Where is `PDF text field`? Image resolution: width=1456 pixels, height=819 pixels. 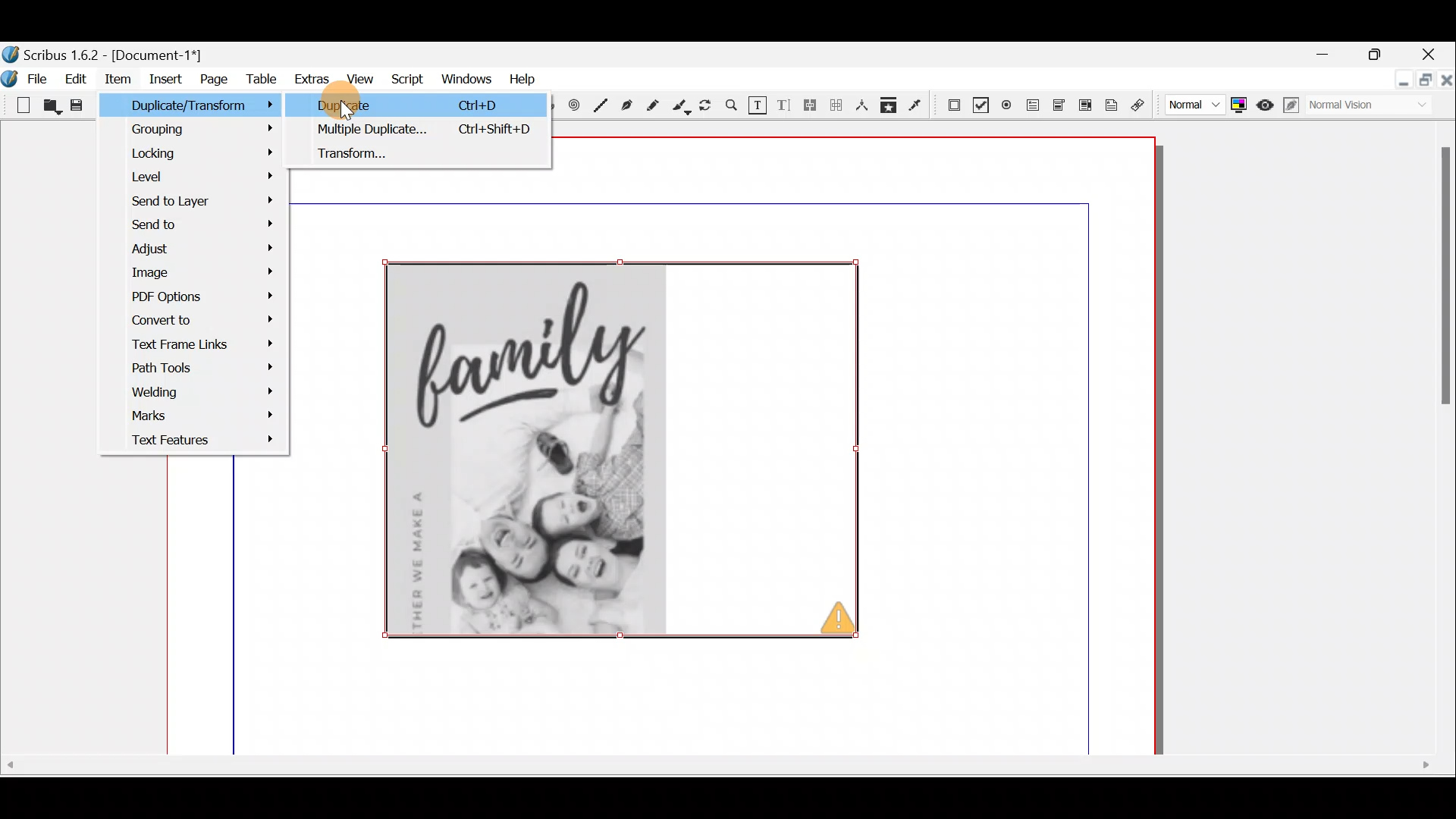
PDF text field is located at coordinates (1031, 105).